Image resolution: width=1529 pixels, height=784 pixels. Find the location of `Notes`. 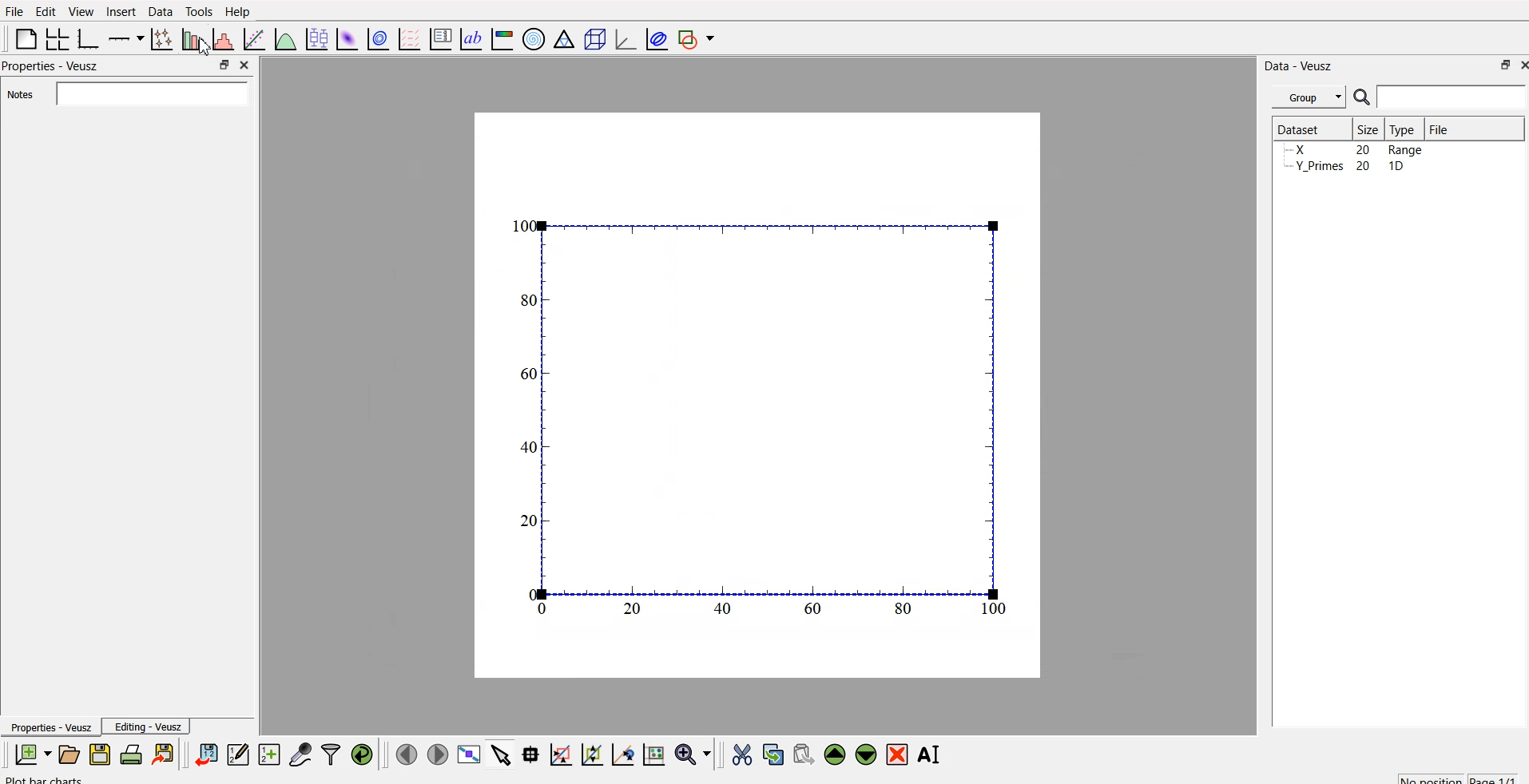

Notes is located at coordinates (18, 95).